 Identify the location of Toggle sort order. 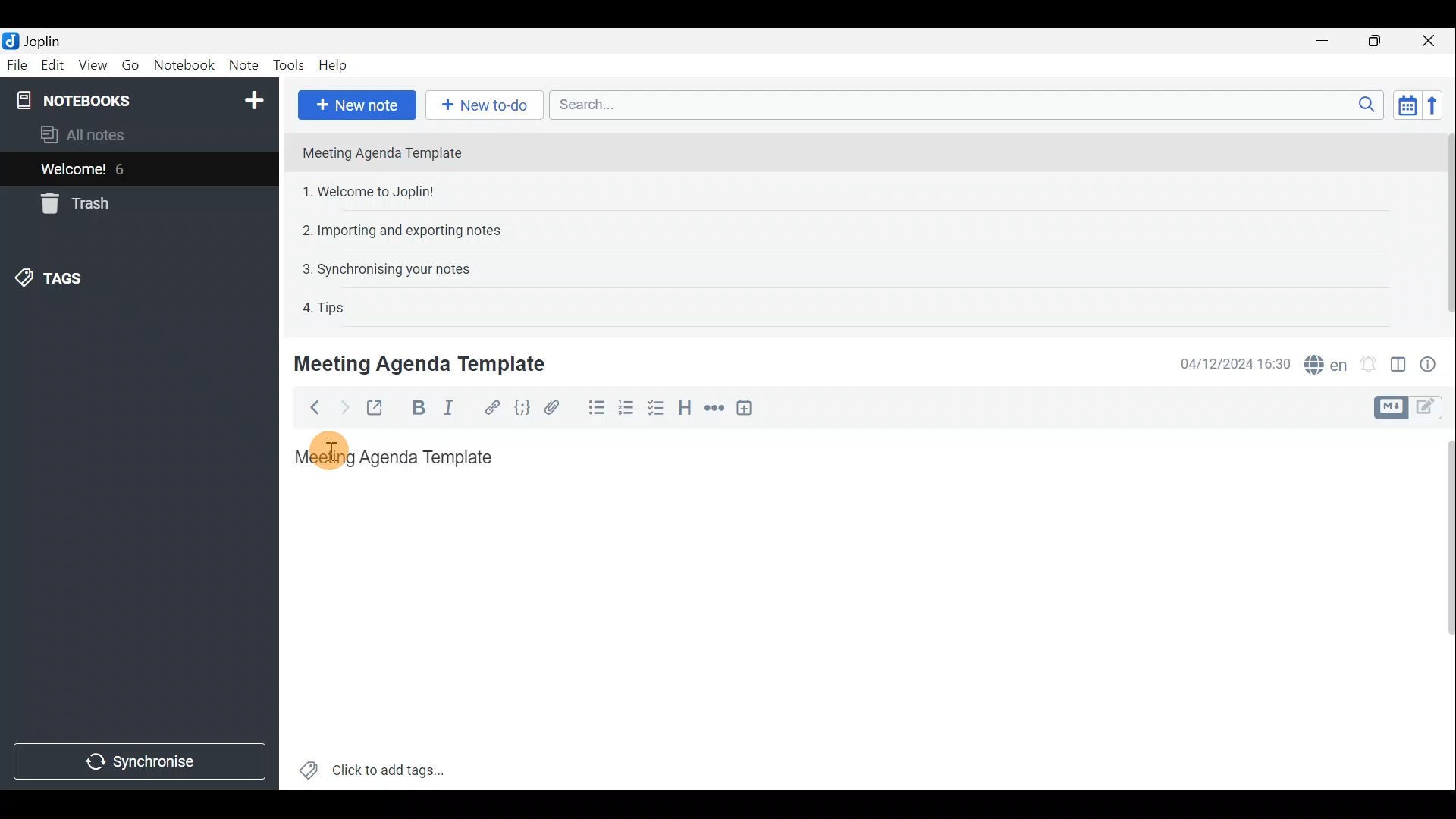
(1404, 103).